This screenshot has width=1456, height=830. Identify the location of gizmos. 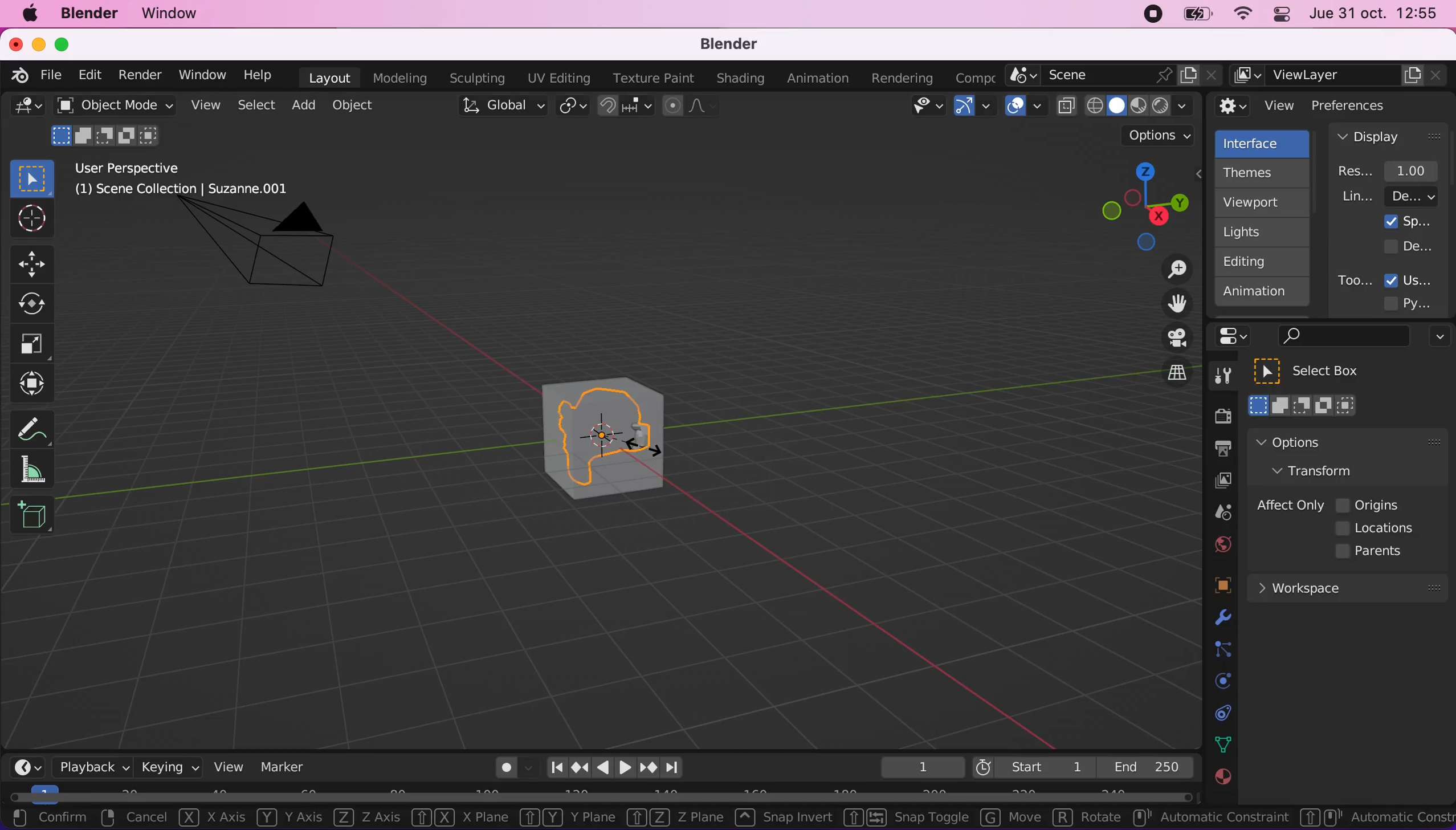
(974, 109).